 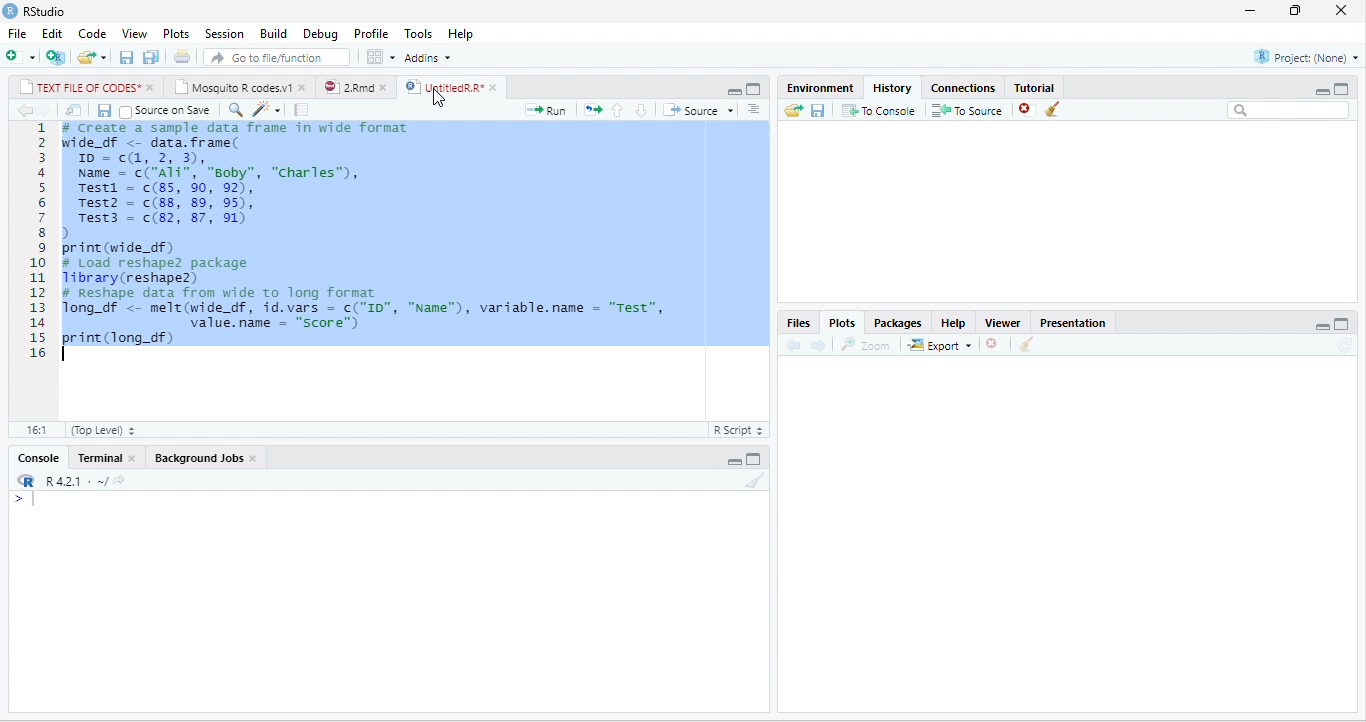 I want to click on new project, so click(x=56, y=57).